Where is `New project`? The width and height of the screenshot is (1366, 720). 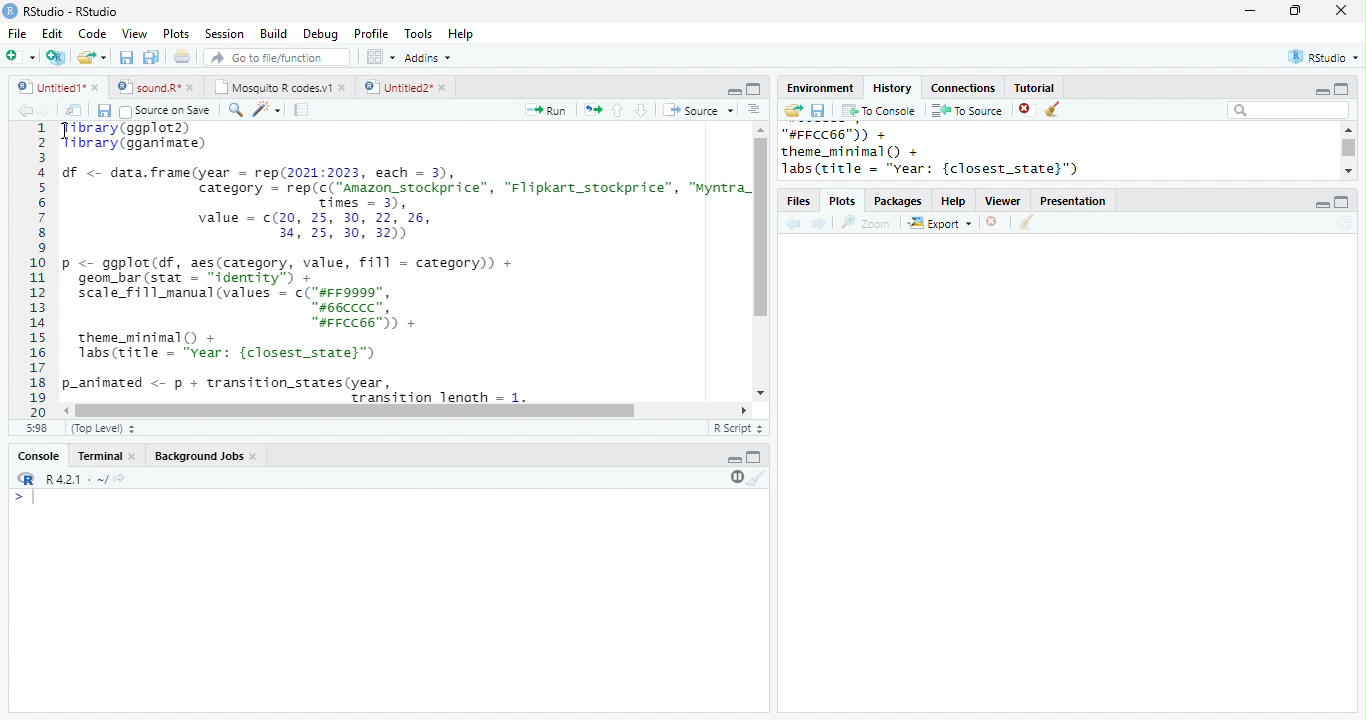 New project is located at coordinates (56, 58).